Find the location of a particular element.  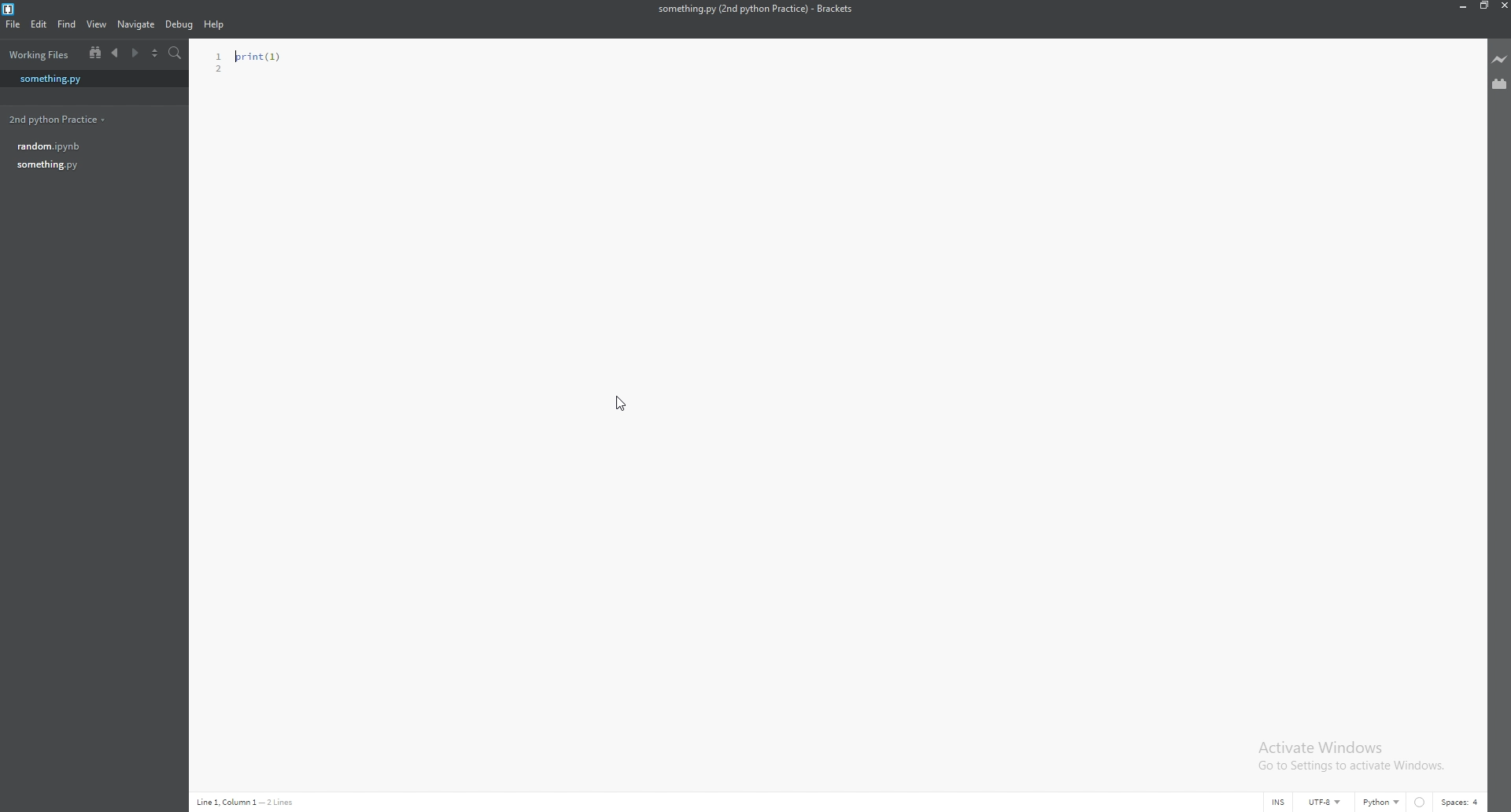

search is located at coordinates (175, 53).